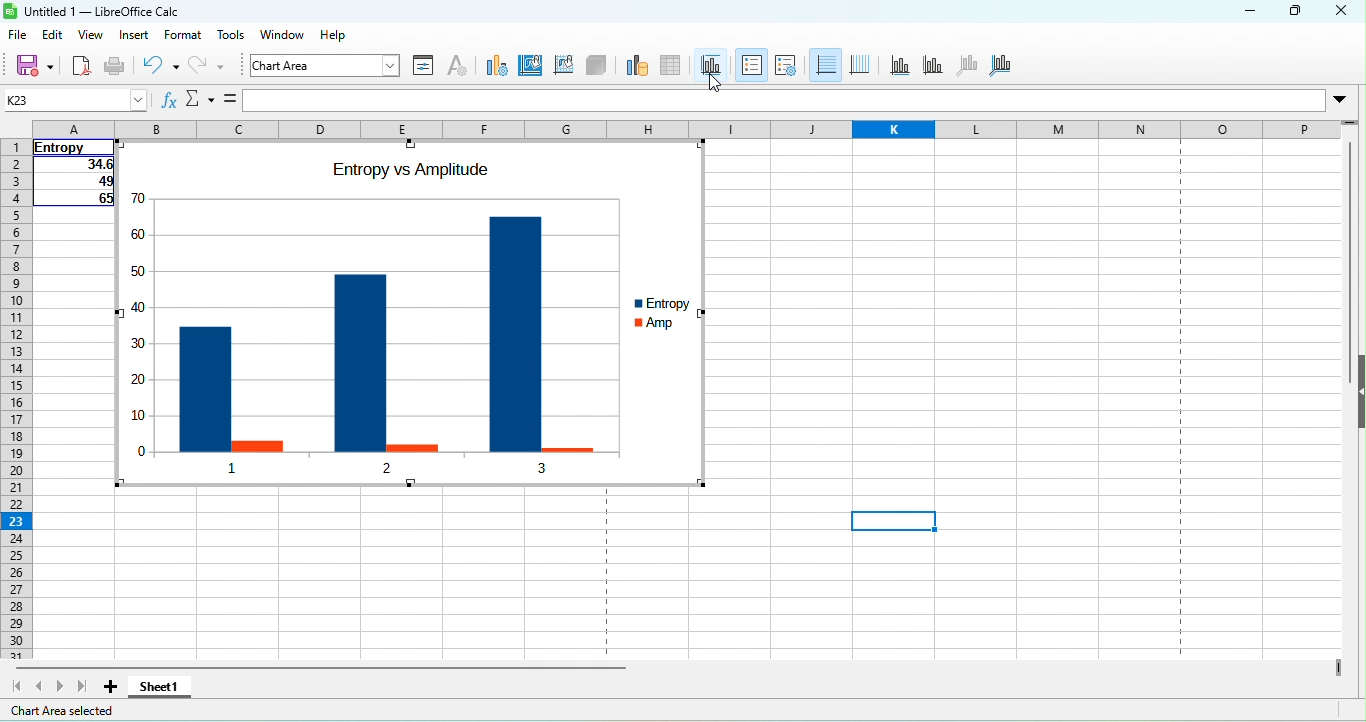 The width and height of the screenshot is (1366, 722). Describe the element at coordinates (74, 99) in the screenshot. I see `name box (k23)` at that location.